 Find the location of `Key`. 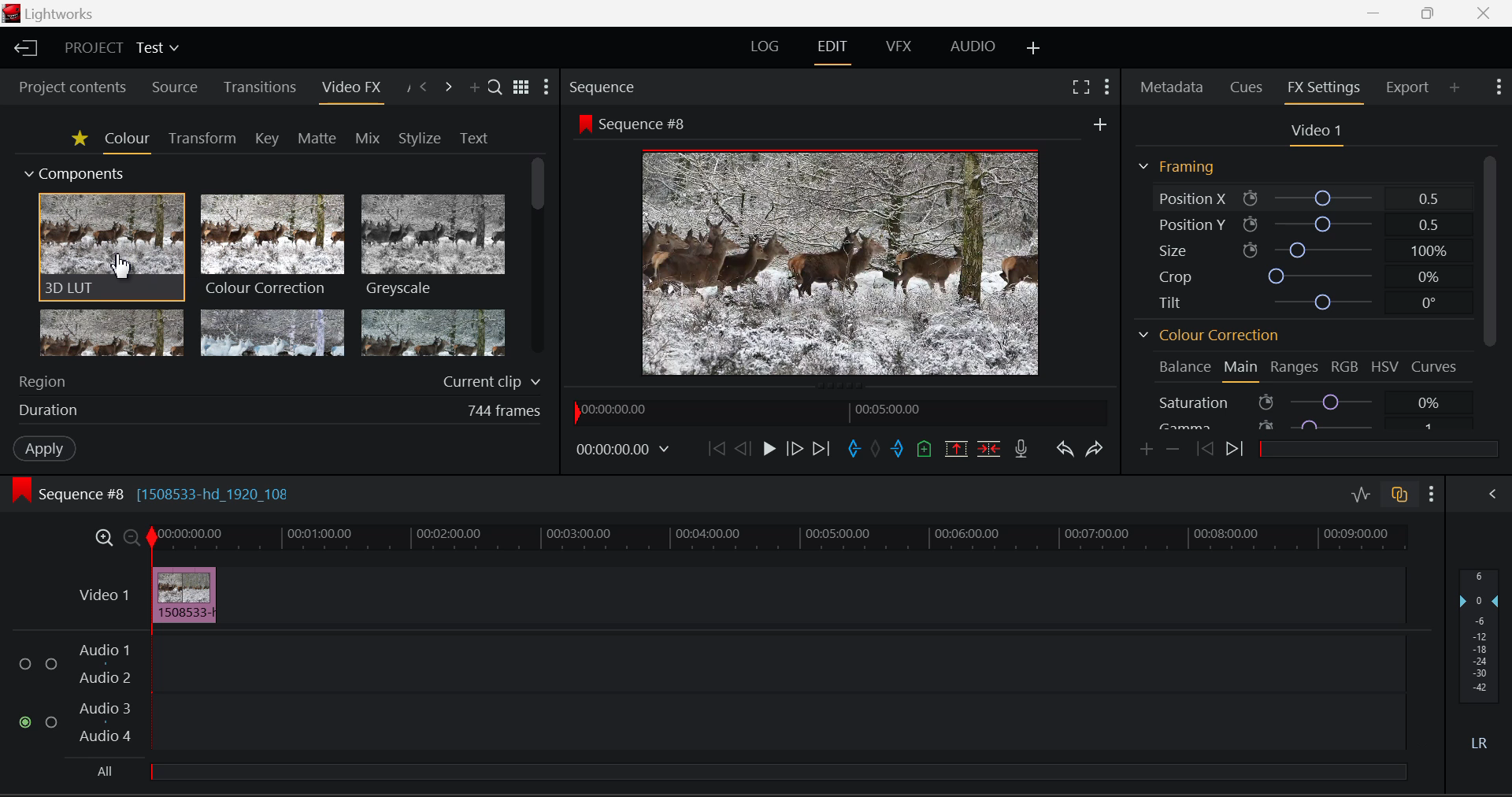

Key is located at coordinates (266, 139).